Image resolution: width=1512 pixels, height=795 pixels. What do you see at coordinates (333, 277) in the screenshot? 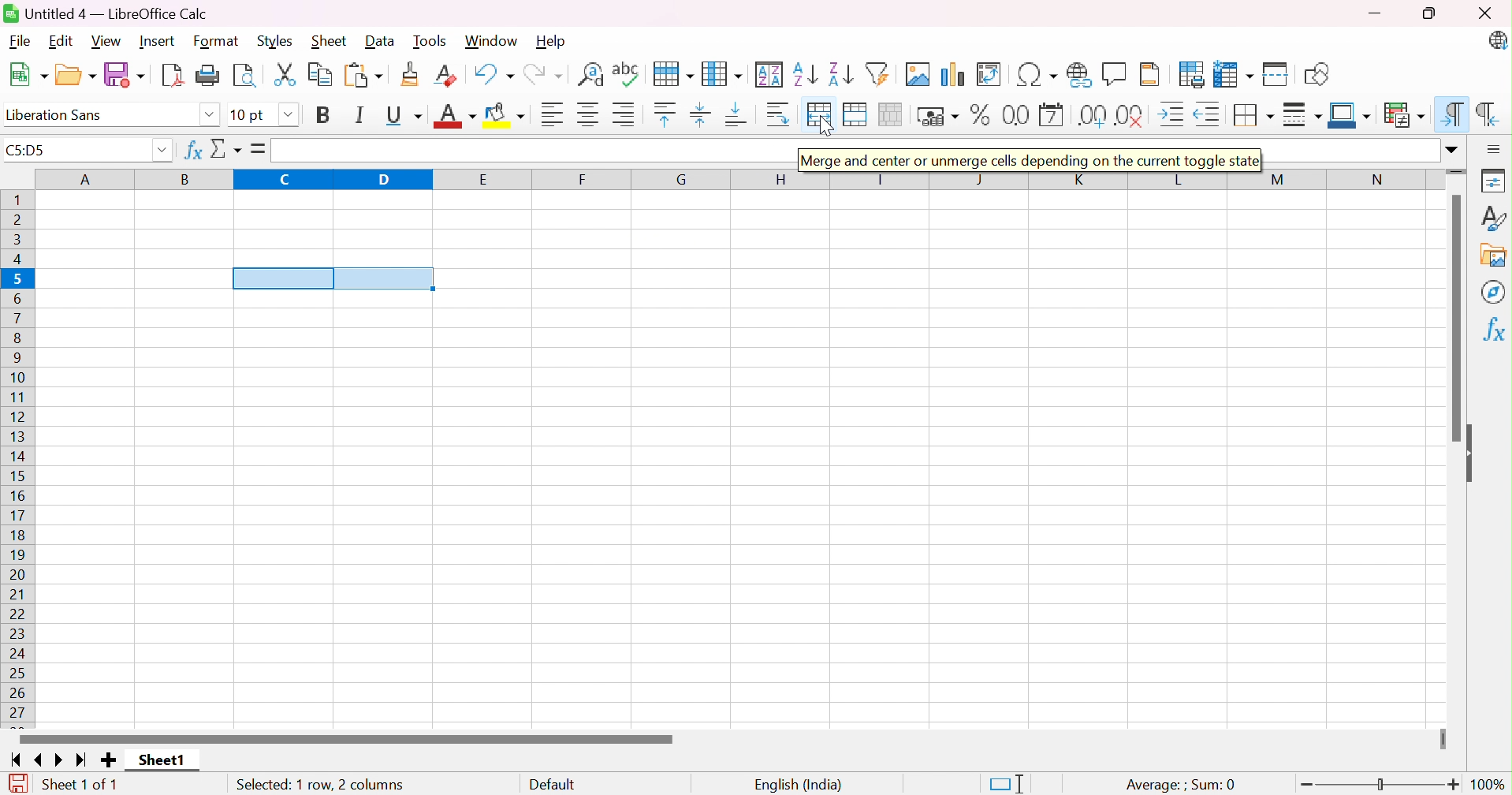
I see `cells selected` at bounding box center [333, 277].